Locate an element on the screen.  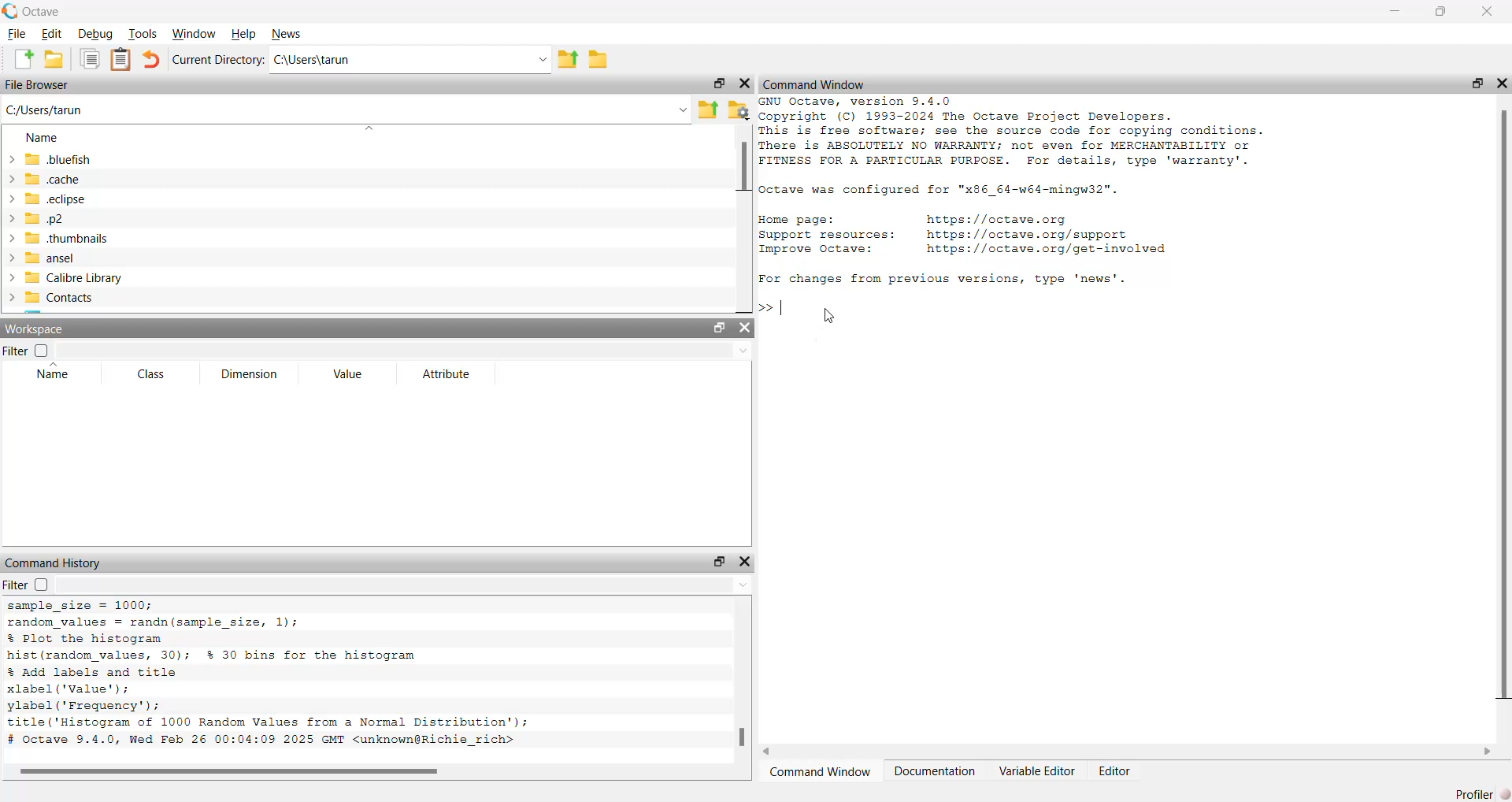
dropdown is located at coordinates (742, 351).